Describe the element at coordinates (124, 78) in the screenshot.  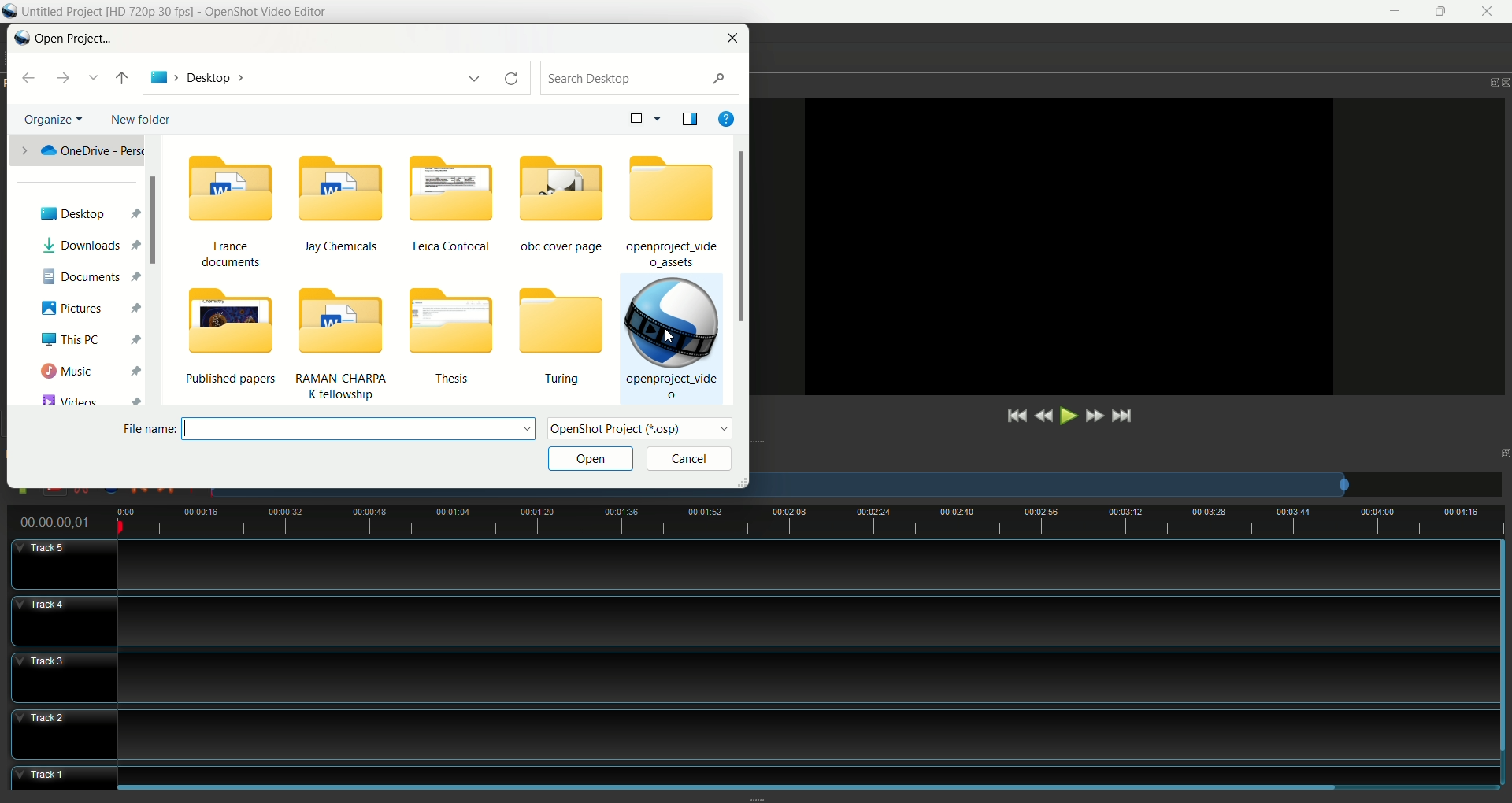
I see `up to` at that location.